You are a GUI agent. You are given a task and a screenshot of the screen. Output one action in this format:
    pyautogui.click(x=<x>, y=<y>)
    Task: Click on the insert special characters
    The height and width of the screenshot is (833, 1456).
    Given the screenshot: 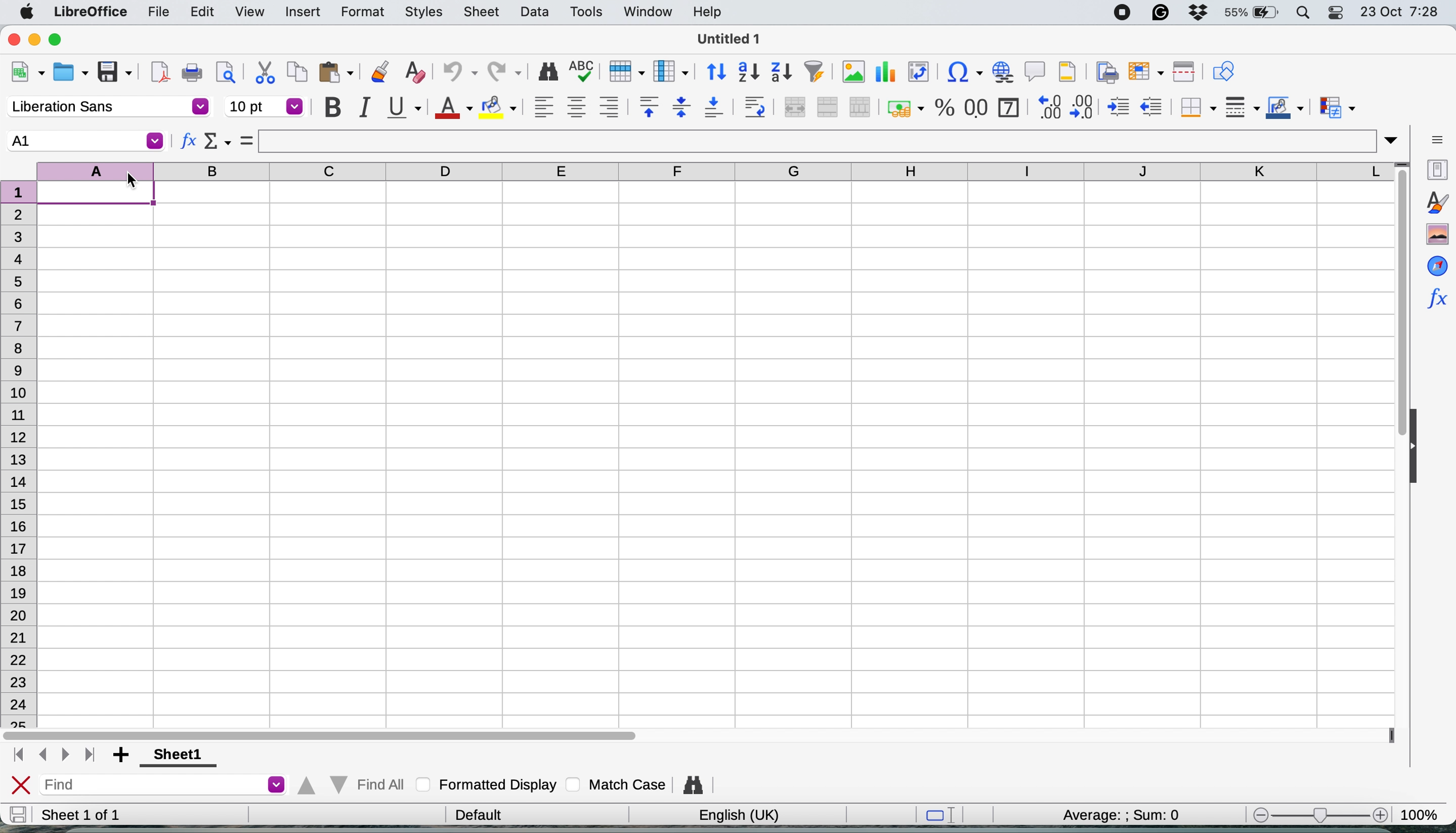 What is the action you would take?
    pyautogui.click(x=962, y=72)
    